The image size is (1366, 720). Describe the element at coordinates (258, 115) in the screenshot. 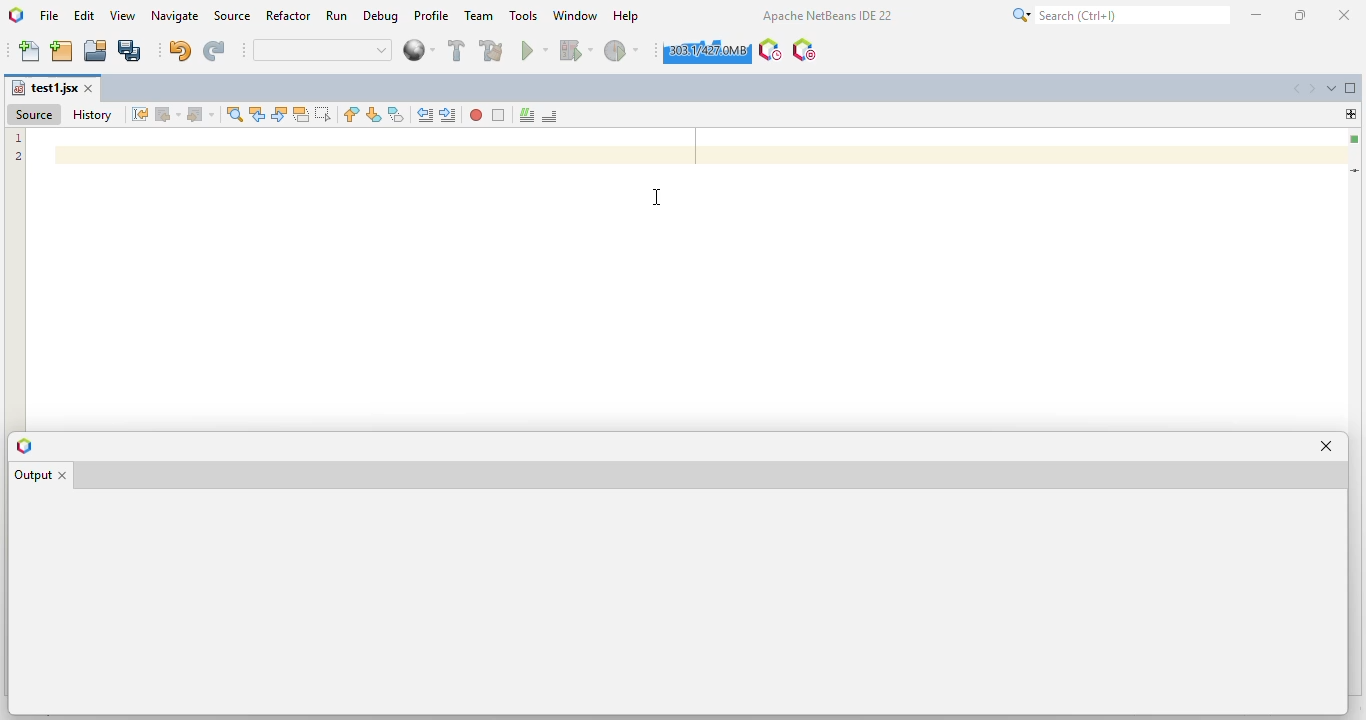

I see `find previous occurrence` at that location.